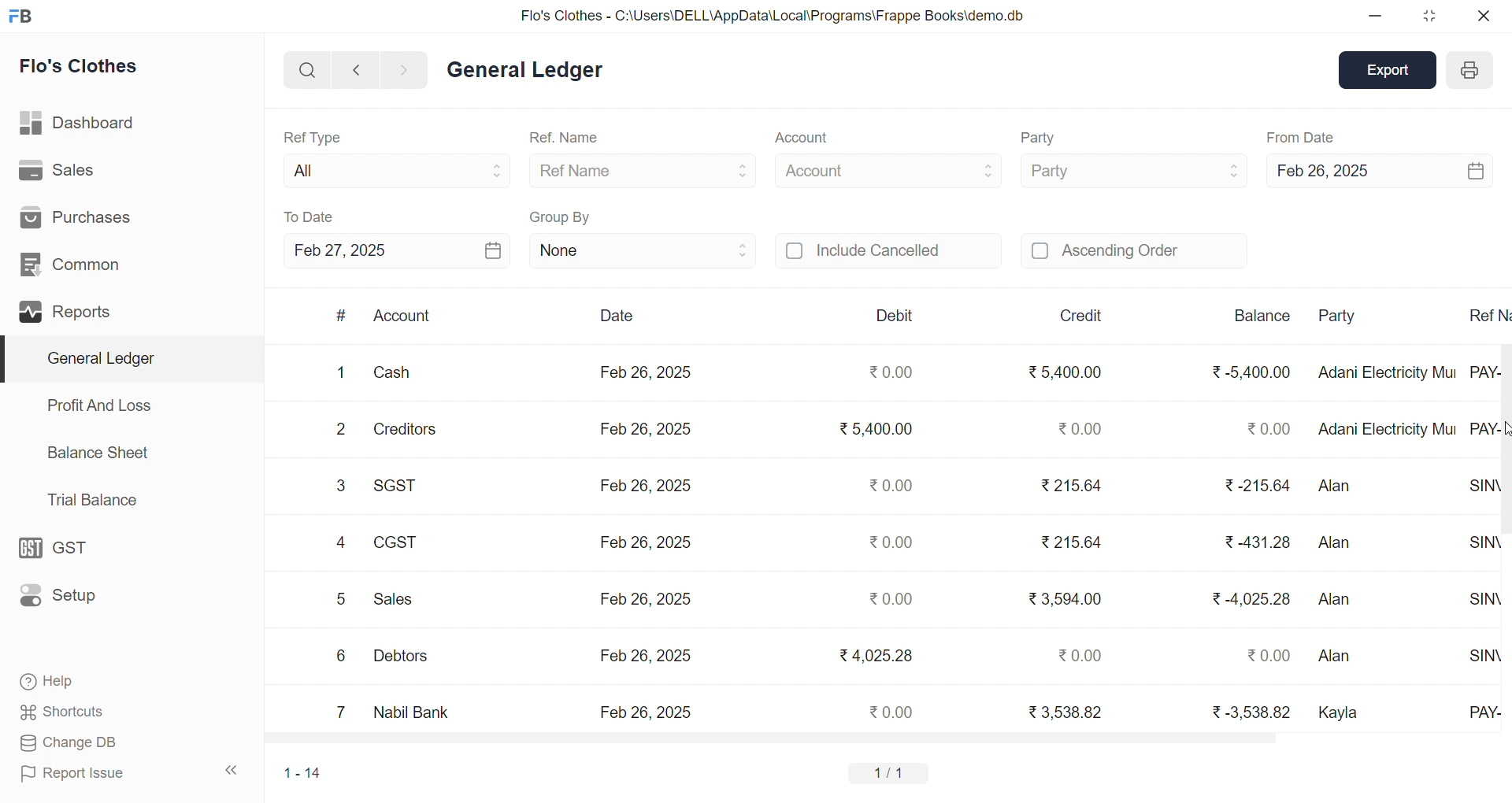 Image resolution: width=1512 pixels, height=803 pixels. What do you see at coordinates (646, 543) in the screenshot?
I see `Feb 26, 2025` at bounding box center [646, 543].